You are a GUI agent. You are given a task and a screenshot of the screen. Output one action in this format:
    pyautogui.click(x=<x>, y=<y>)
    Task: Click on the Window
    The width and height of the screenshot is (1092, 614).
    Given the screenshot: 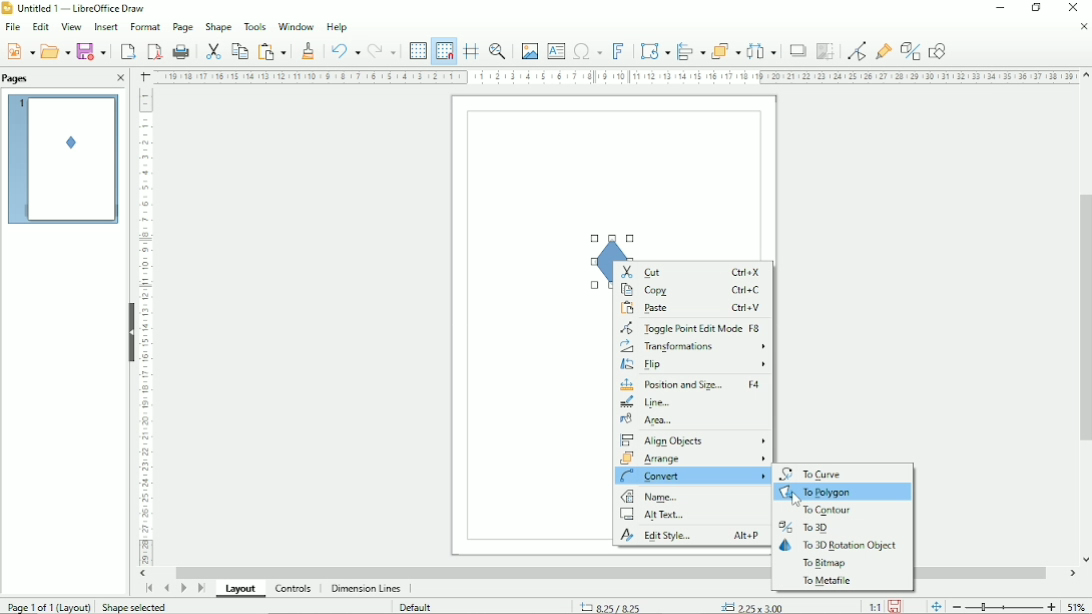 What is the action you would take?
    pyautogui.click(x=294, y=25)
    